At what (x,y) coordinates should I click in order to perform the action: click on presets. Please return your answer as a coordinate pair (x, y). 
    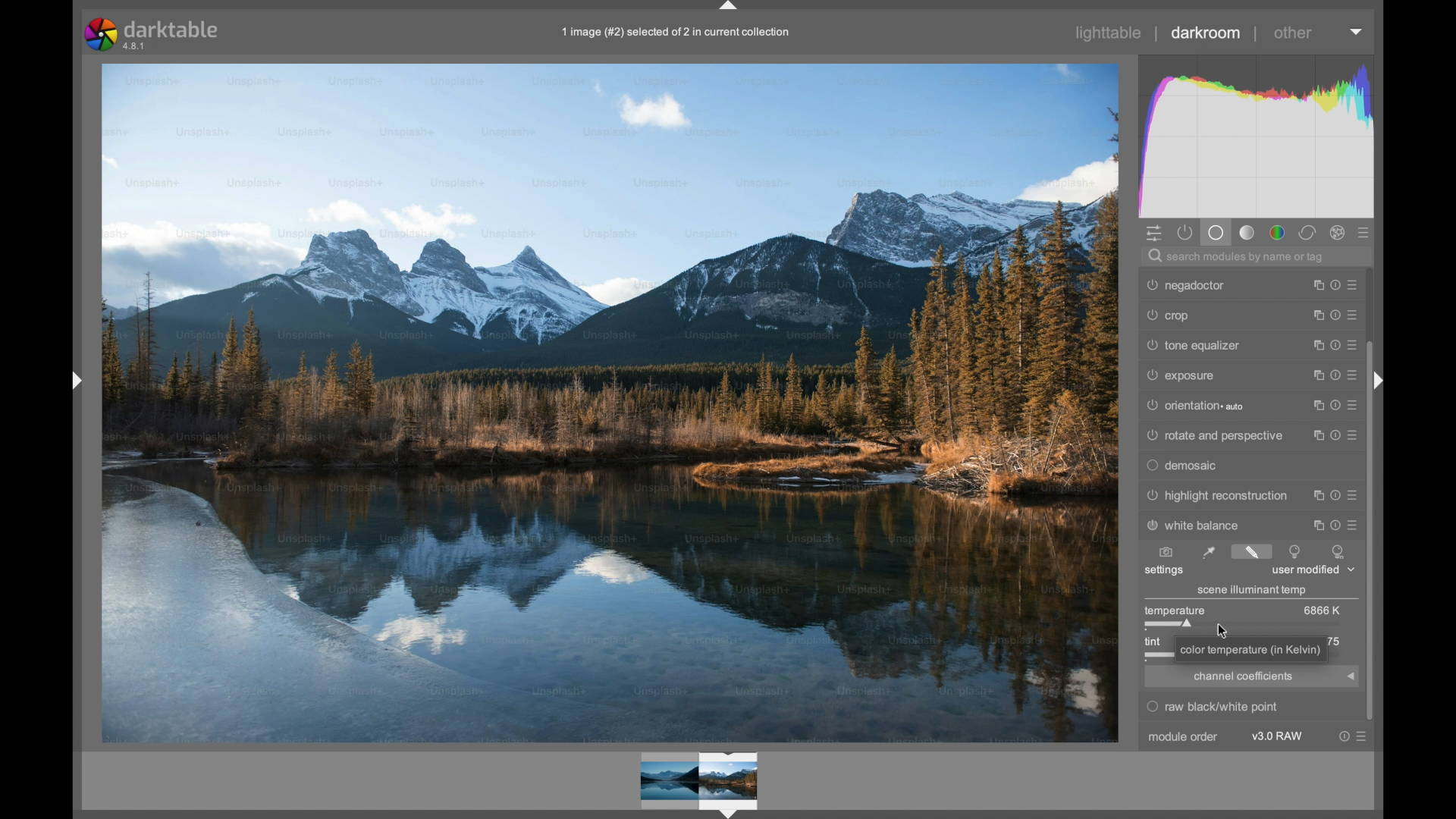
    Looking at the image, I should click on (1363, 736).